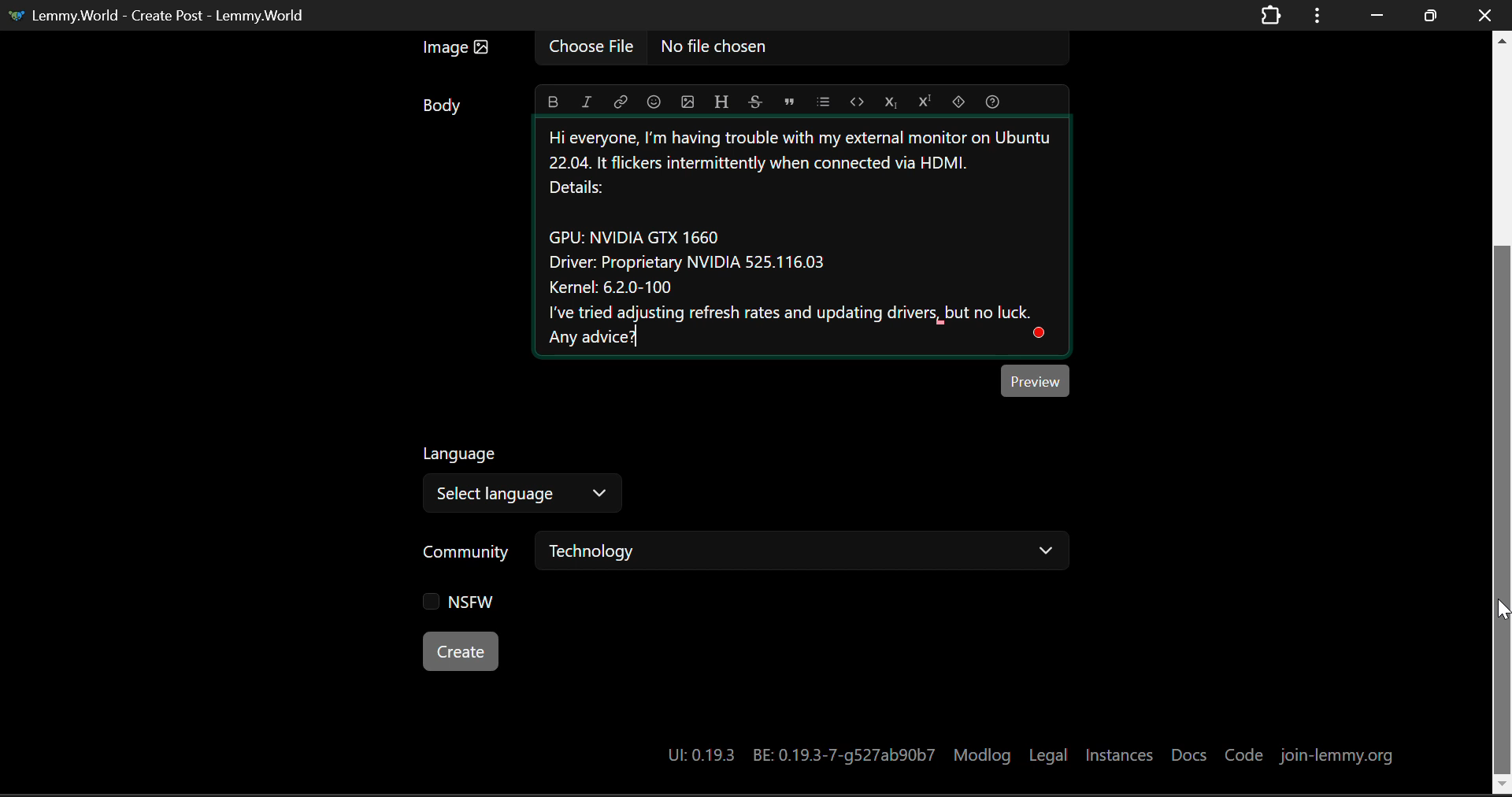 Image resolution: width=1512 pixels, height=797 pixels. Describe the element at coordinates (1243, 753) in the screenshot. I see `Code` at that location.